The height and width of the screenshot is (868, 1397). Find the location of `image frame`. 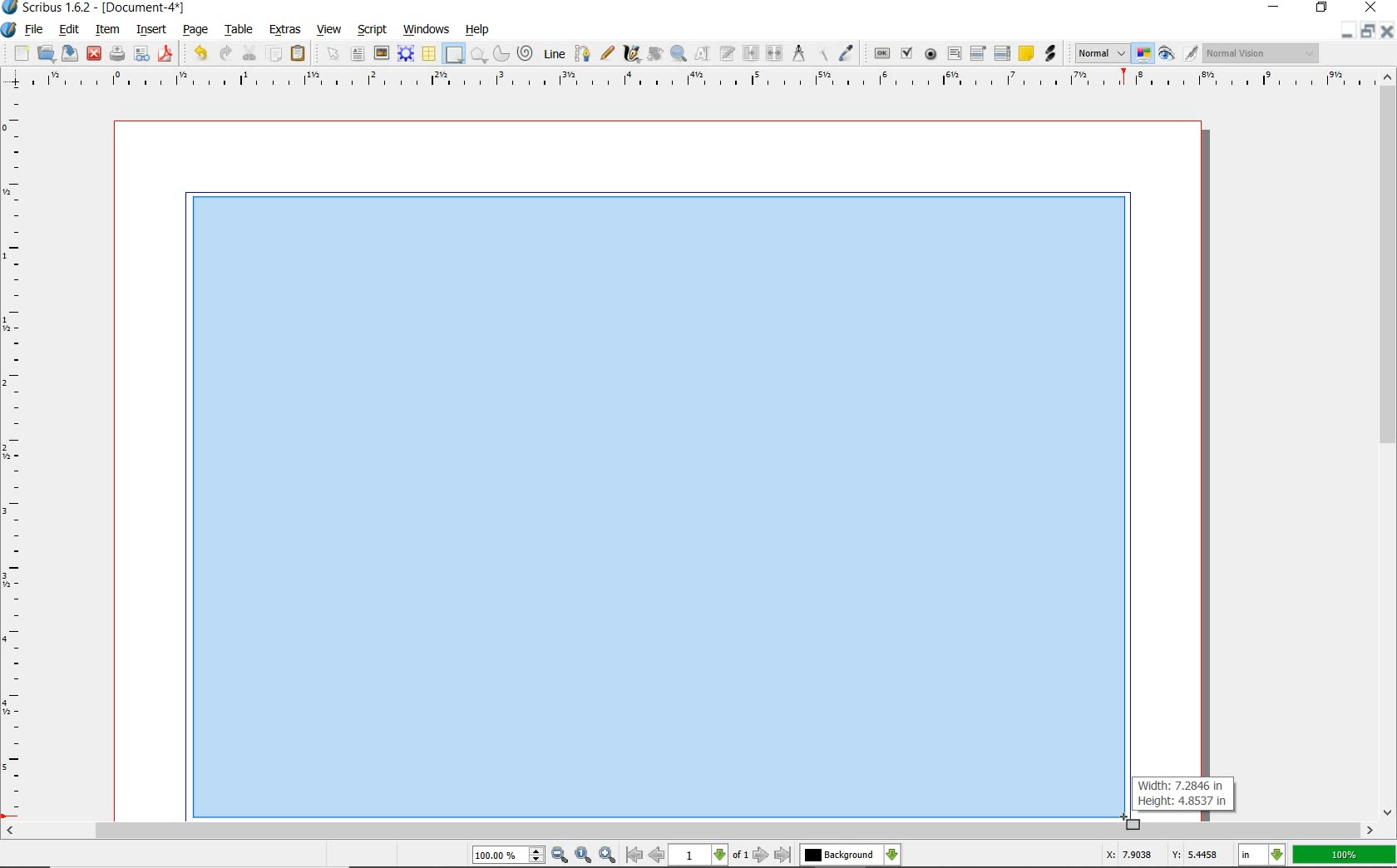

image frame is located at coordinates (382, 55).